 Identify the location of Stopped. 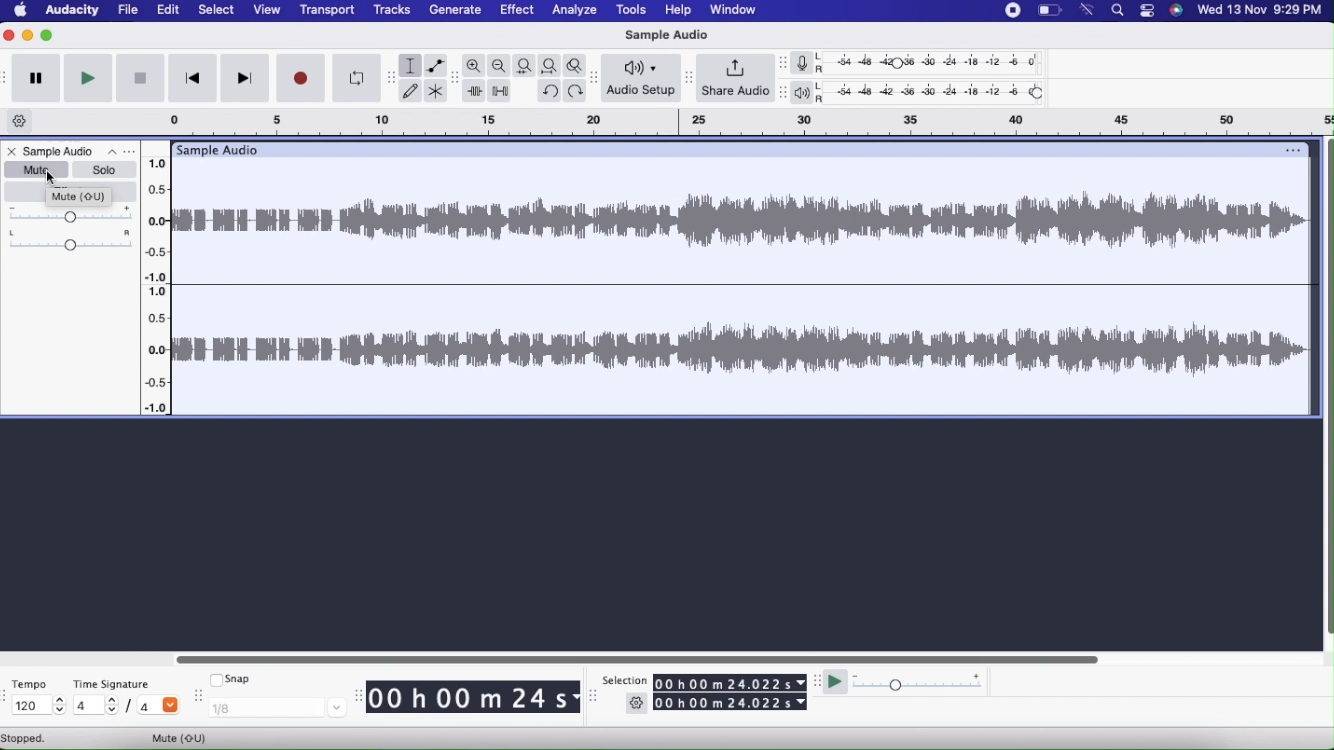
(31, 738).